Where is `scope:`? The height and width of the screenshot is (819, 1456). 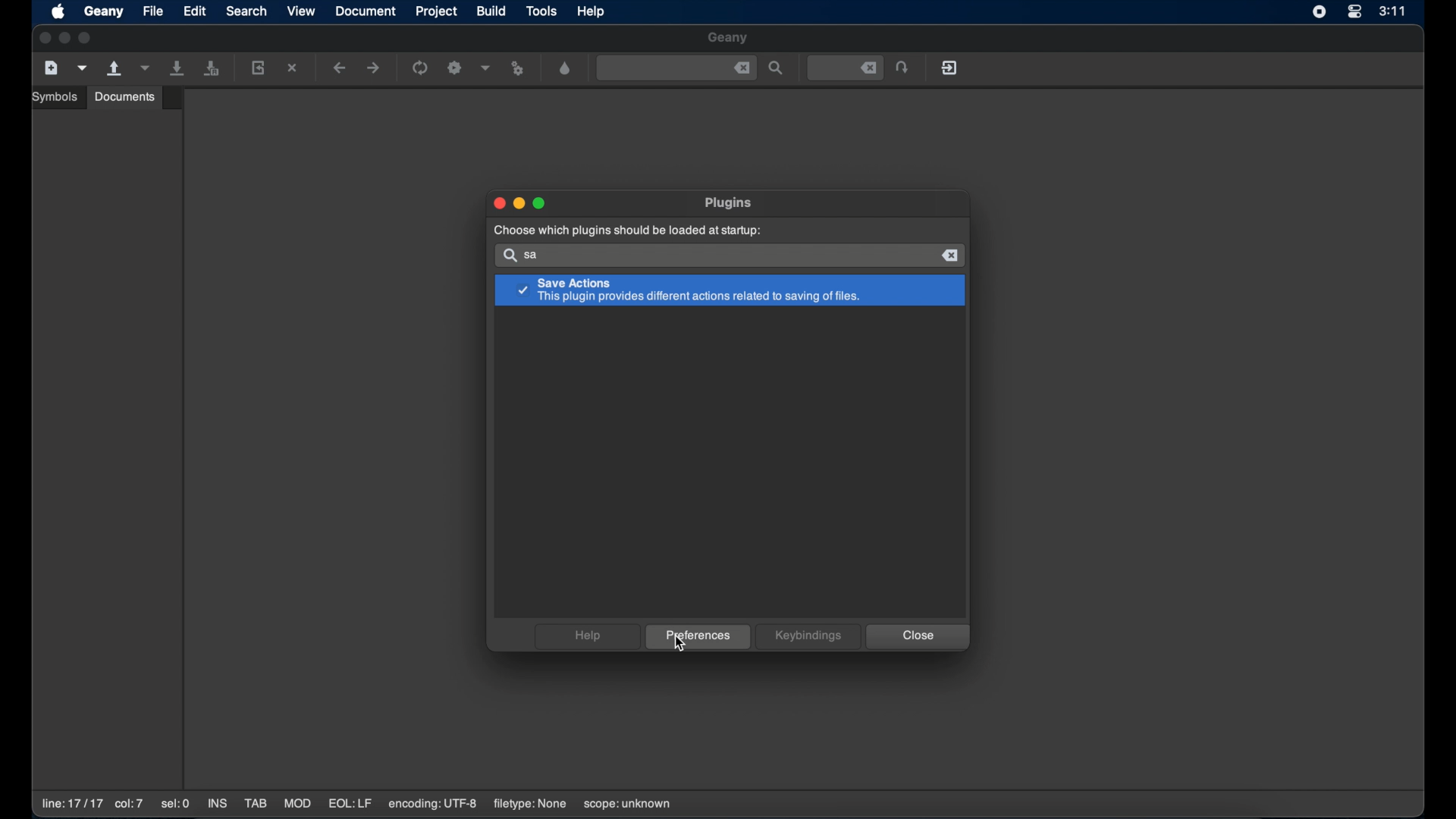
scope: is located at coordinates (627, 805).